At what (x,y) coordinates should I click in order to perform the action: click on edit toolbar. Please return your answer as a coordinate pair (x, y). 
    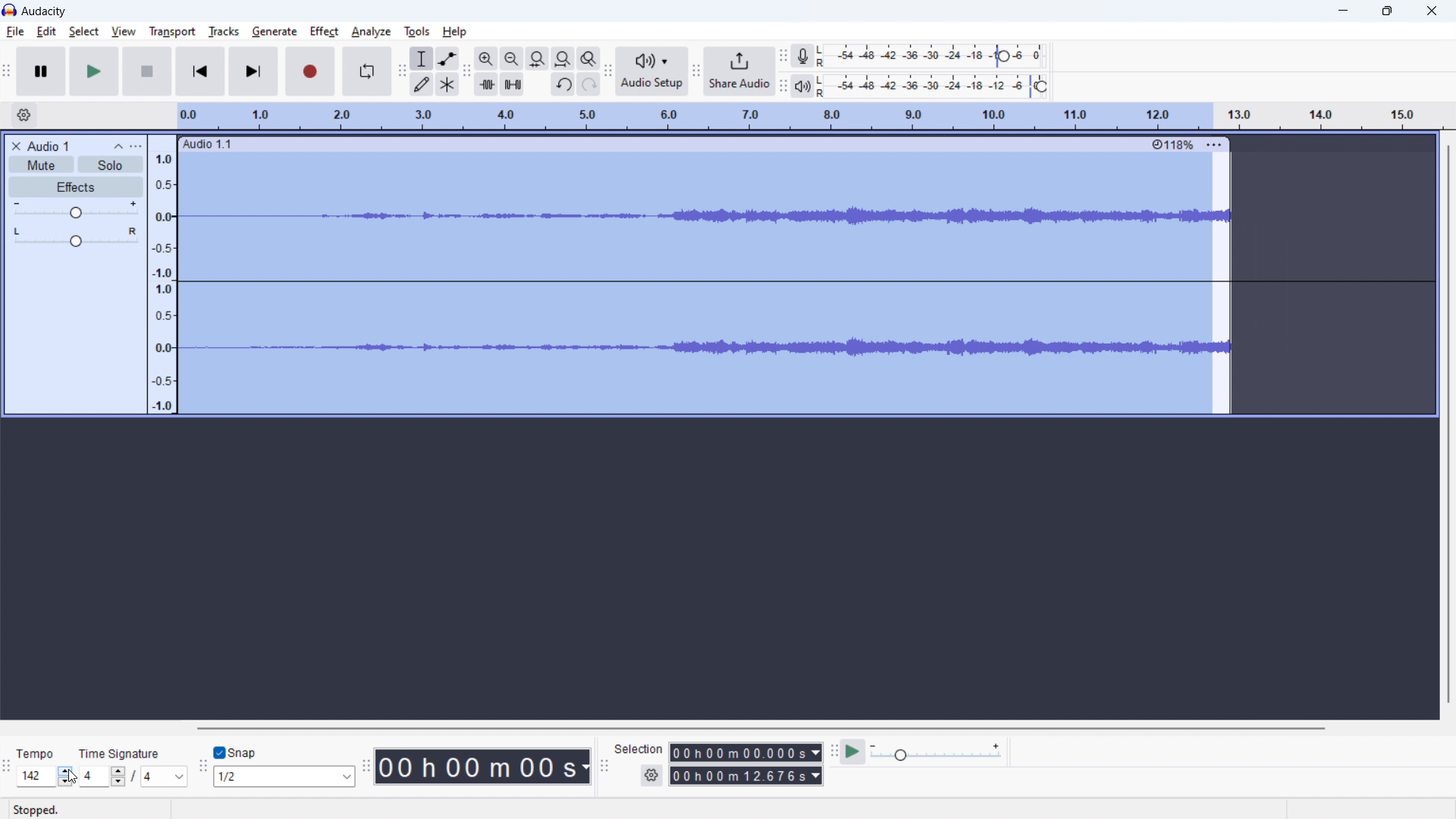
    Looking at the image, I should click on (467, 71).